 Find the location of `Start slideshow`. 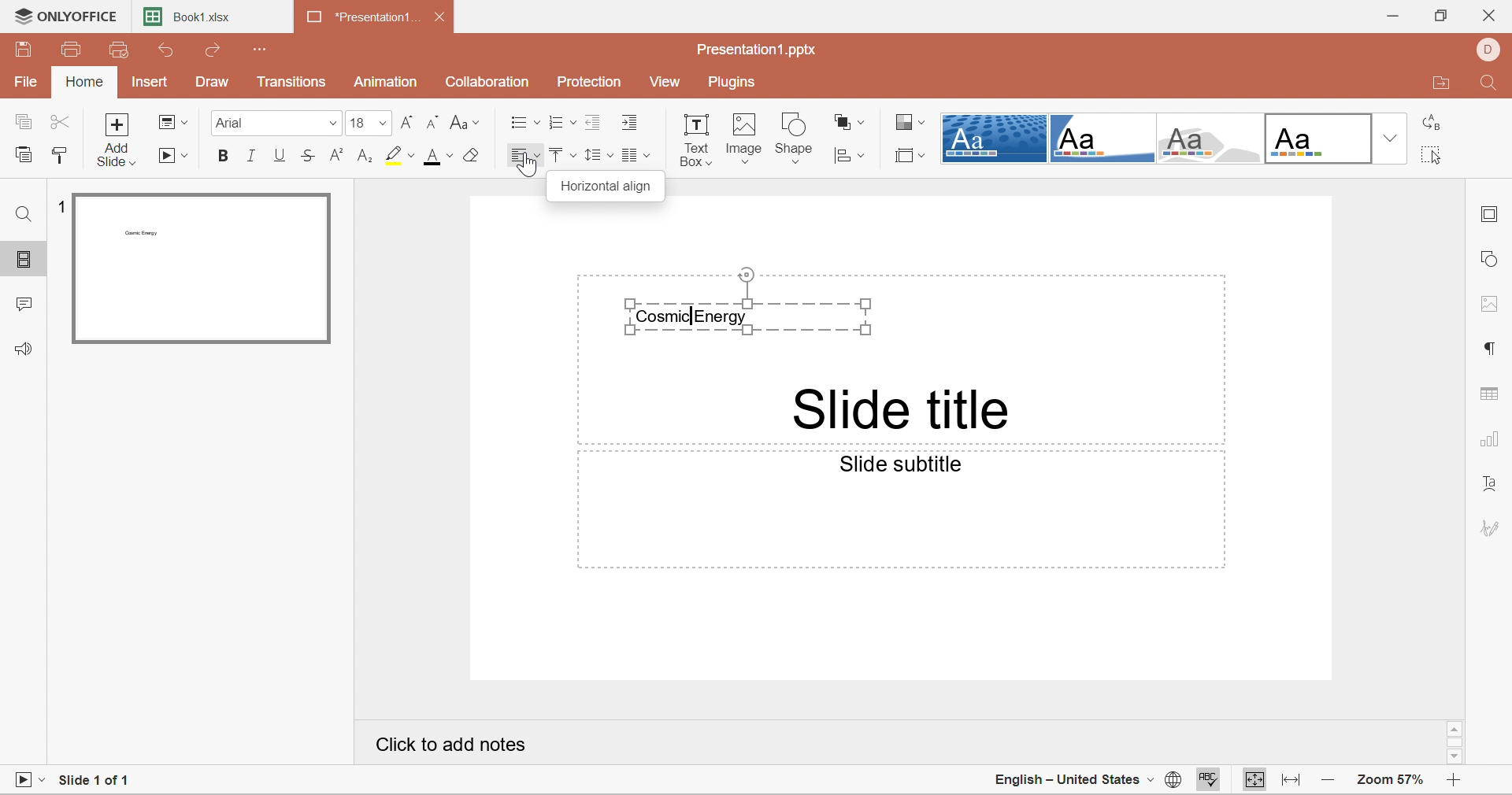

Start slideshow is located at coordinates (176, 157).